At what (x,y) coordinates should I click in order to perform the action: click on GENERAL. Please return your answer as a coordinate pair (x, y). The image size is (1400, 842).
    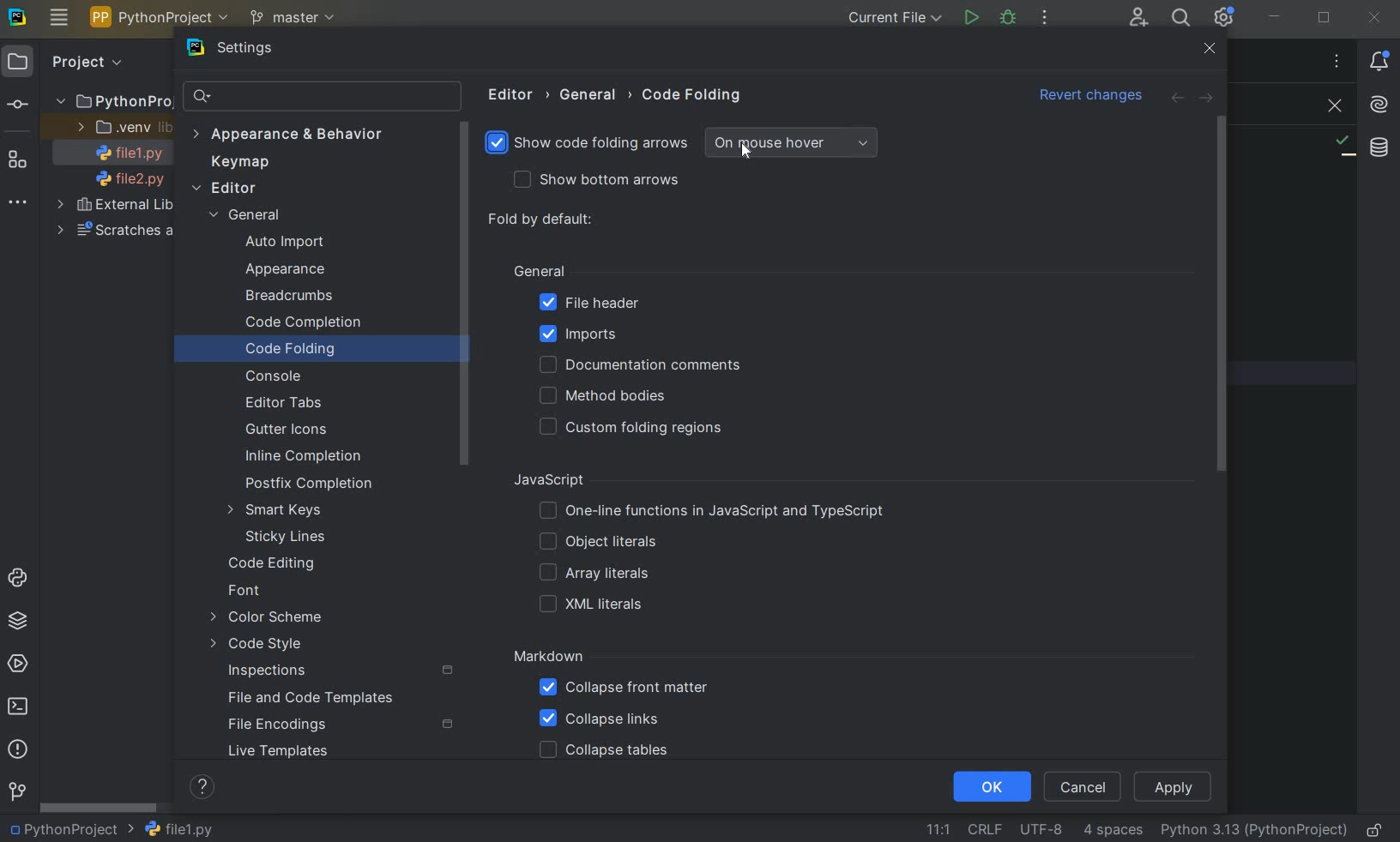
    Looking at the image, I should click on (252, 217).